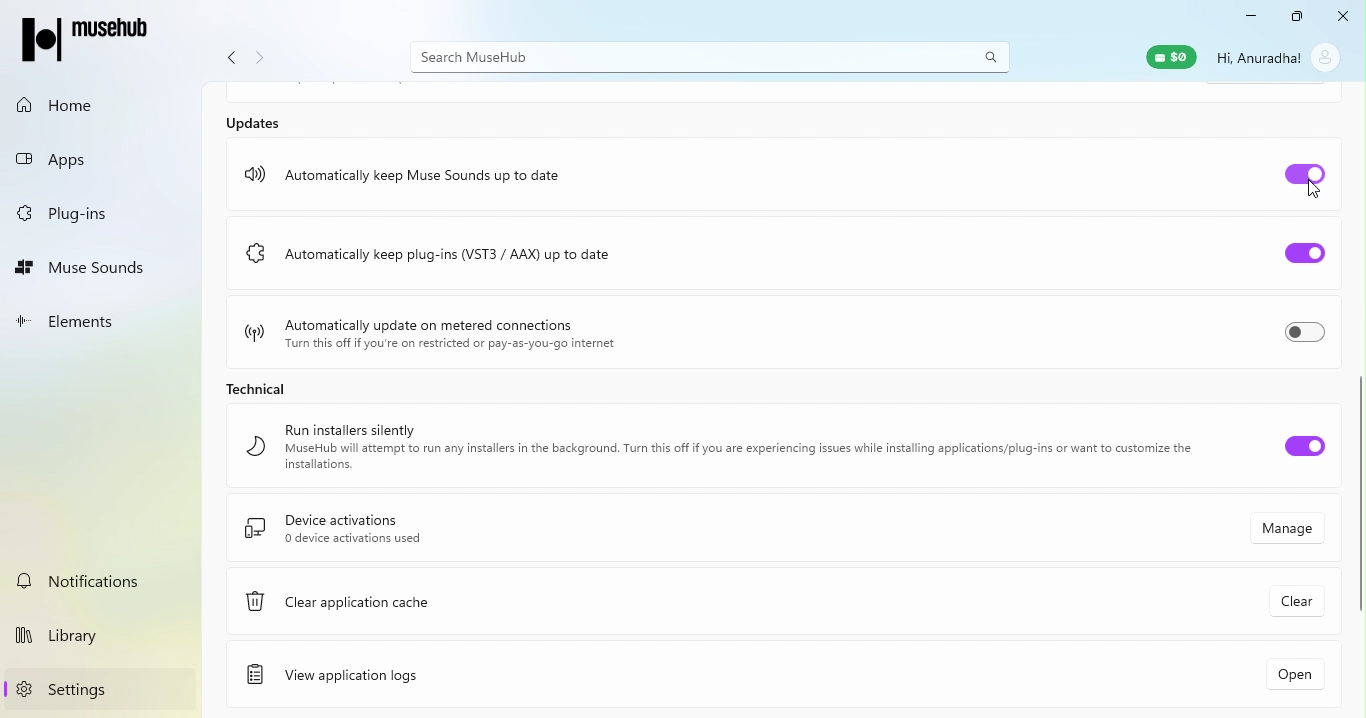 This screenshot has width=1366, height=718. Describe the element at coordinates (231, 60) in the screenshot. I see `Navigate back` at that location.